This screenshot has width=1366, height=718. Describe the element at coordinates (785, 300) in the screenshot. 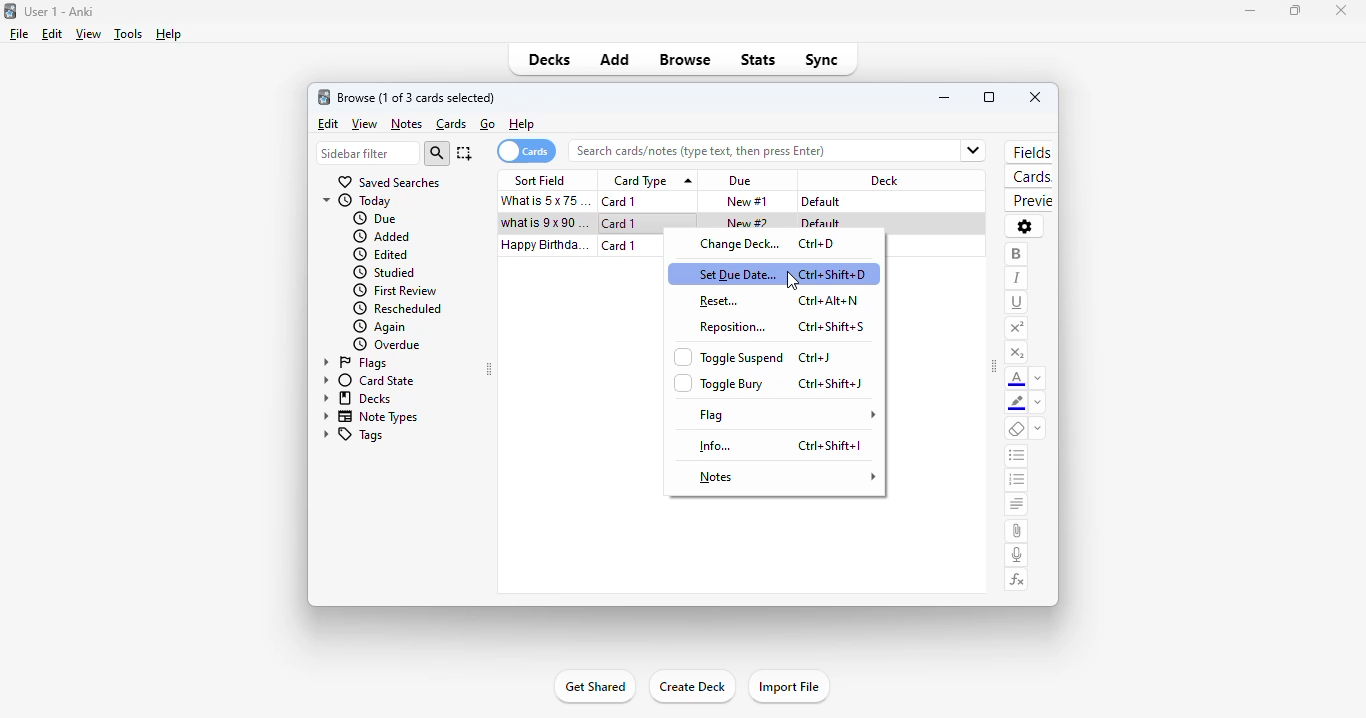

I see `reset  Ctrl + Alt + N` at that location.